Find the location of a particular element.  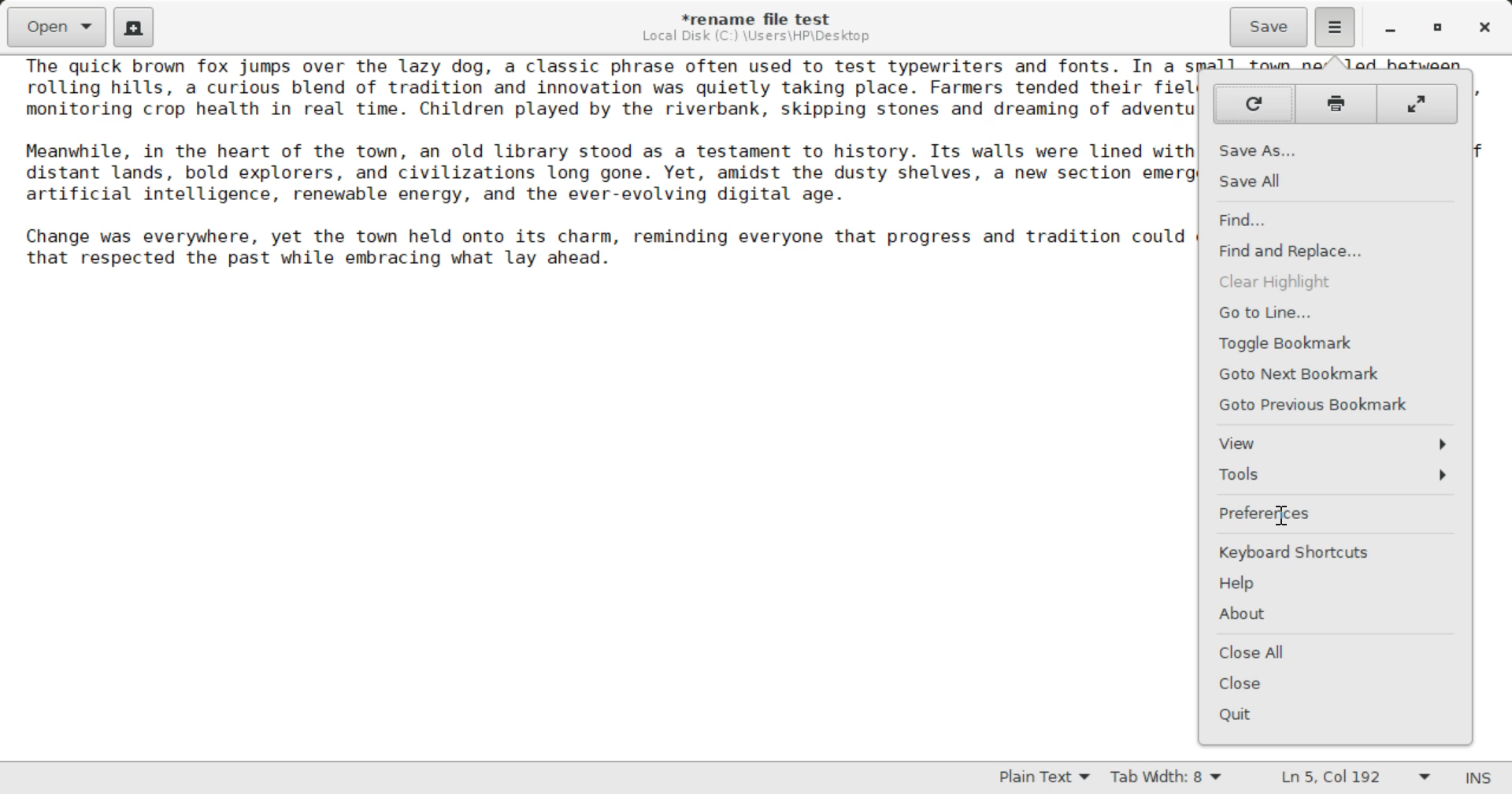

Toggle Bookmark is located at coordinates (1336, 342).